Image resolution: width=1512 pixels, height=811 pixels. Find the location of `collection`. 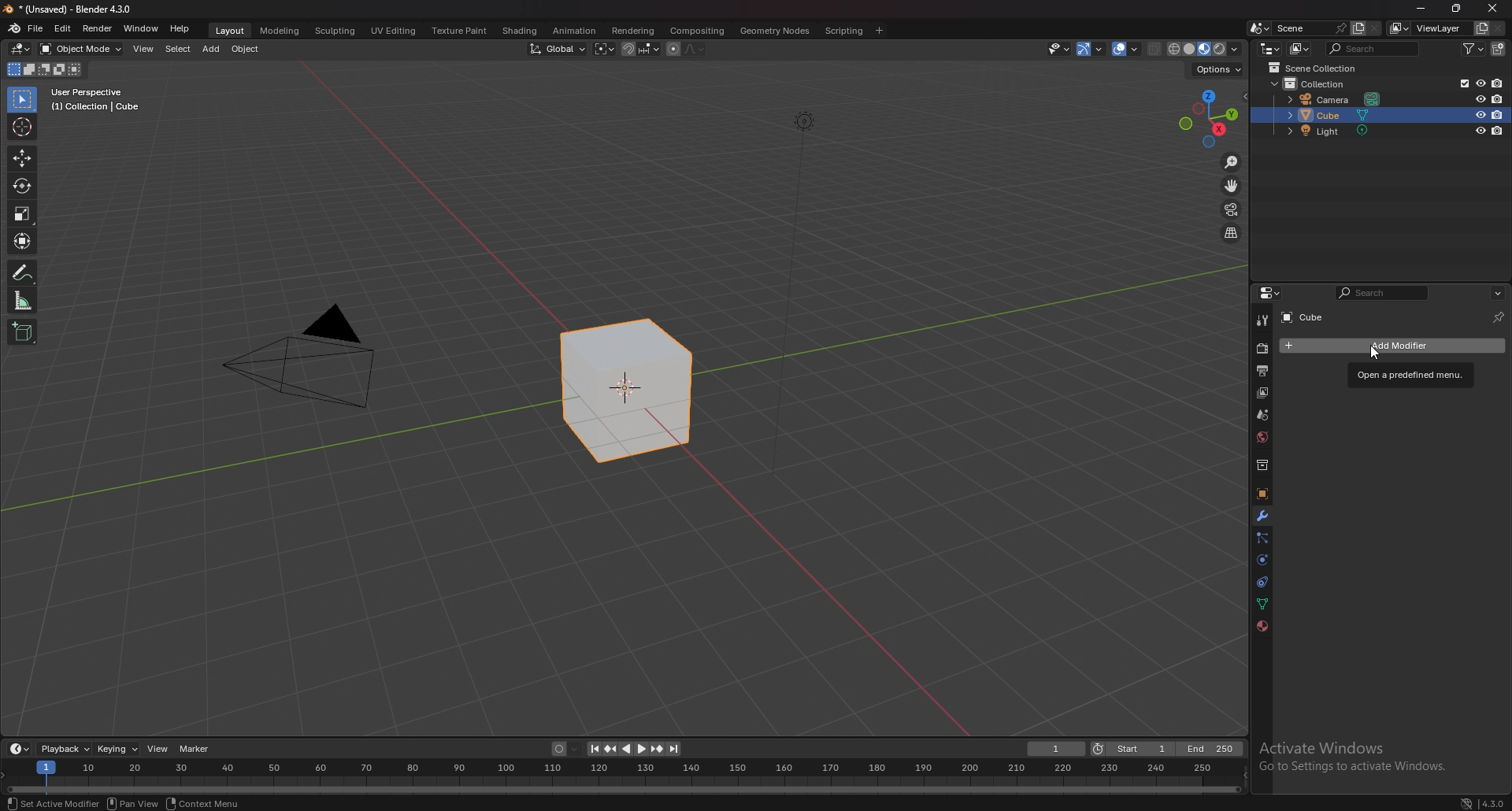

collection is located at coordinates (1325, 85).